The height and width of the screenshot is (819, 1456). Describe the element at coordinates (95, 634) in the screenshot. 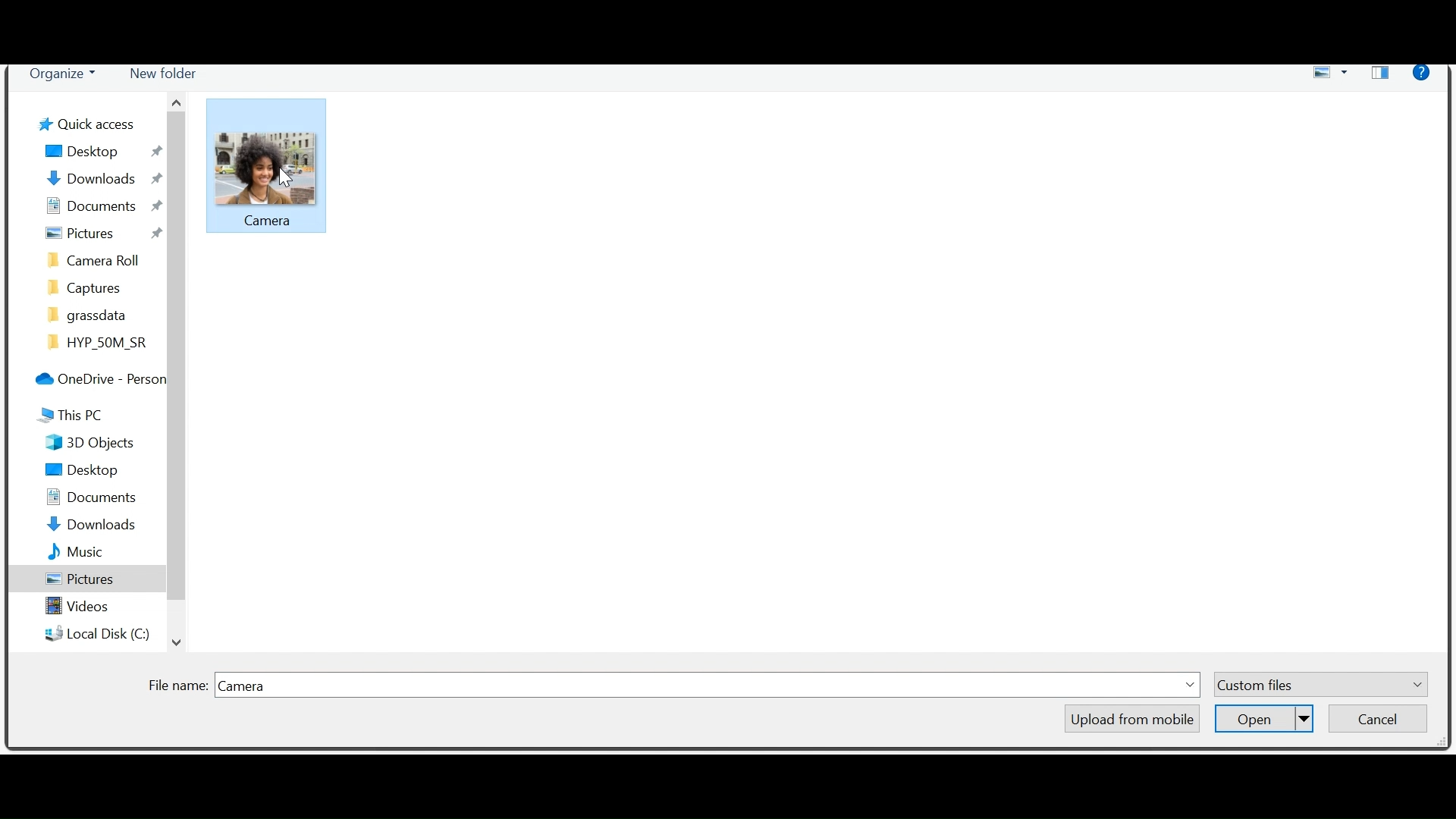

I see `Local Disk (C)` at that location.